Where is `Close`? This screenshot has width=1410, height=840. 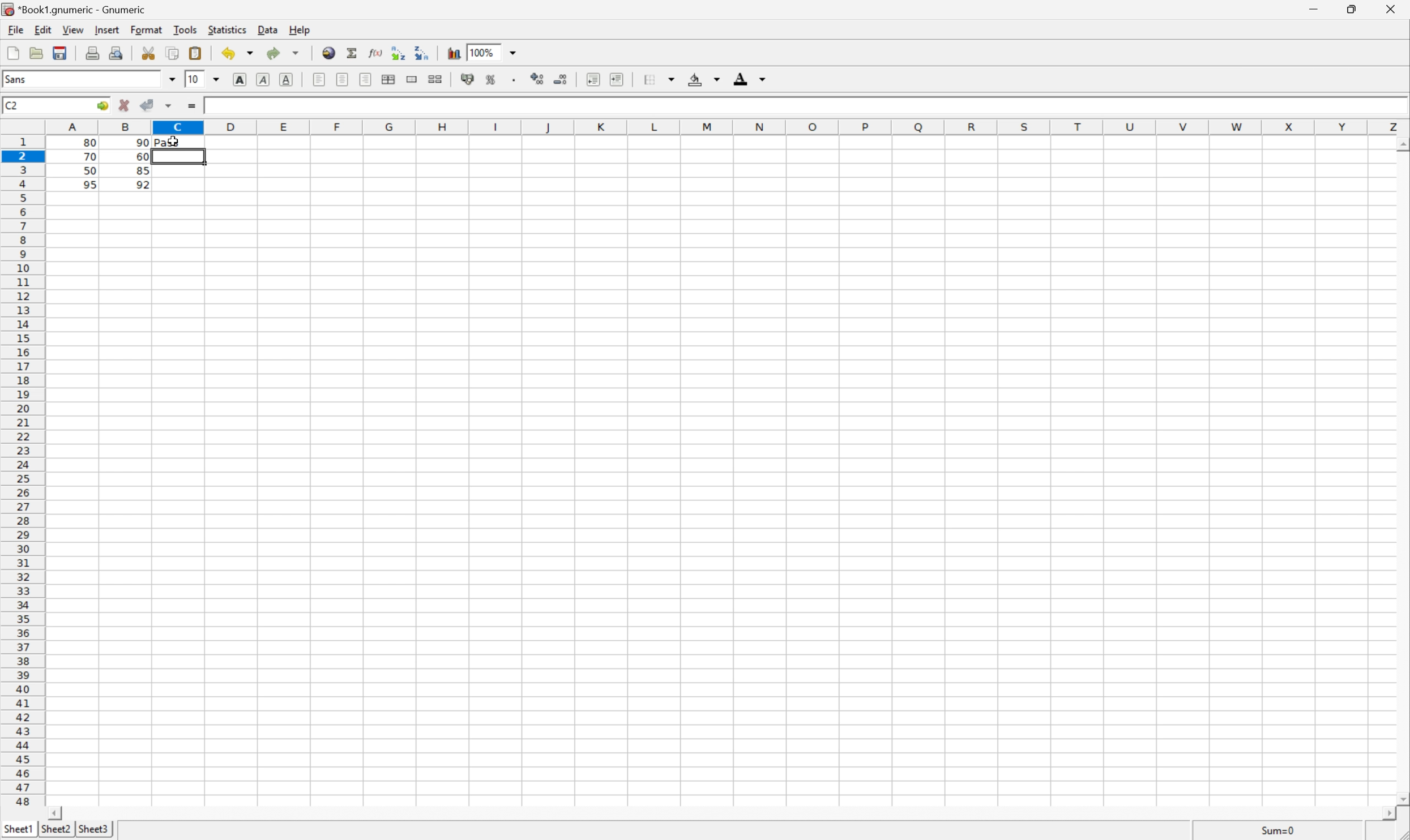 Close is located at coordinates (1392, 8).